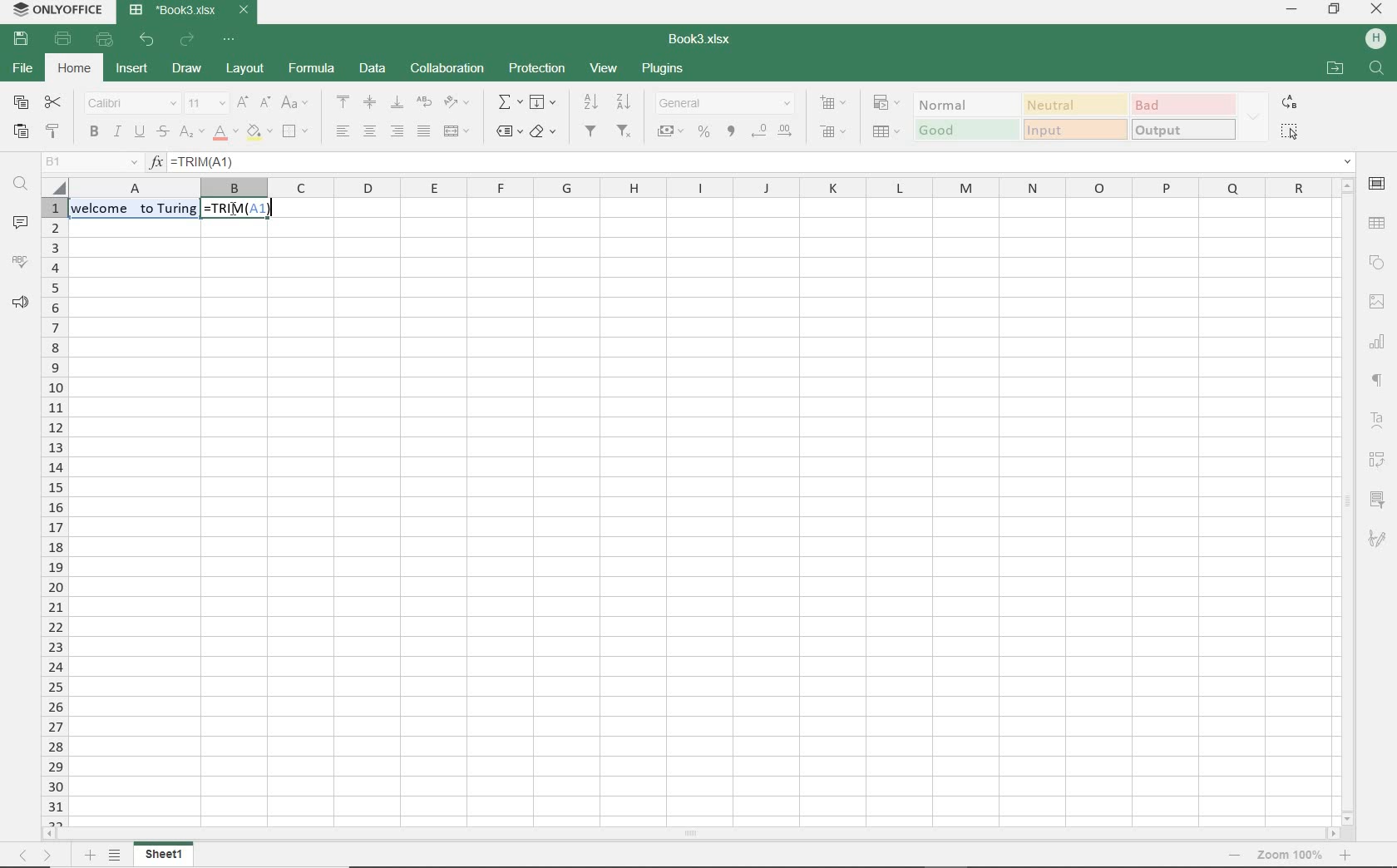 The height and width of the screenshot is (868, 1397). What do you see at coordinates (1335, 67) in the screenshot?
I see `OPEN FILE LOCATION` at bounding box center [1335, 67].